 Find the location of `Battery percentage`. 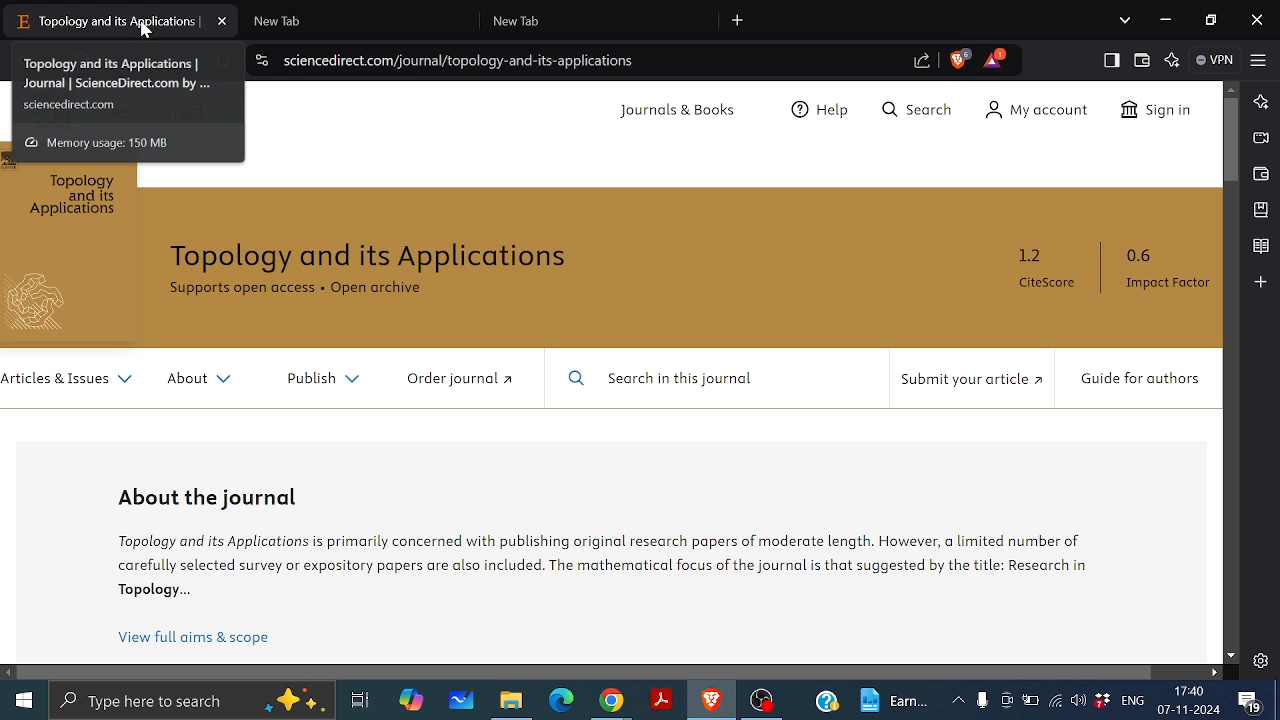

Battery percentage is located at coordinates (1029, 700).